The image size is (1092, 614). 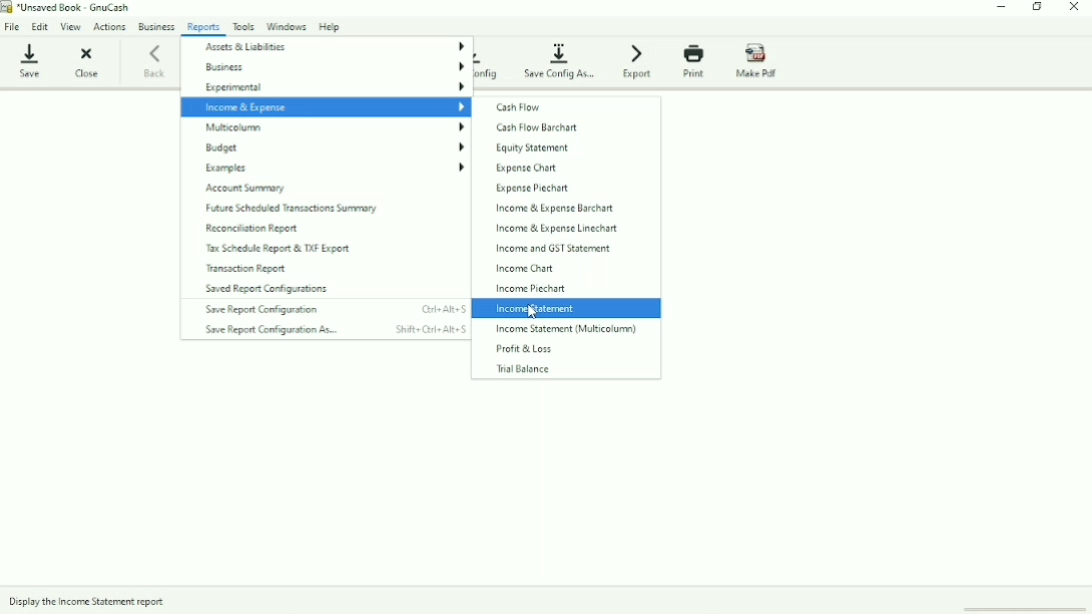 I want to click on Expense Chart, so click(x=525, y=168).